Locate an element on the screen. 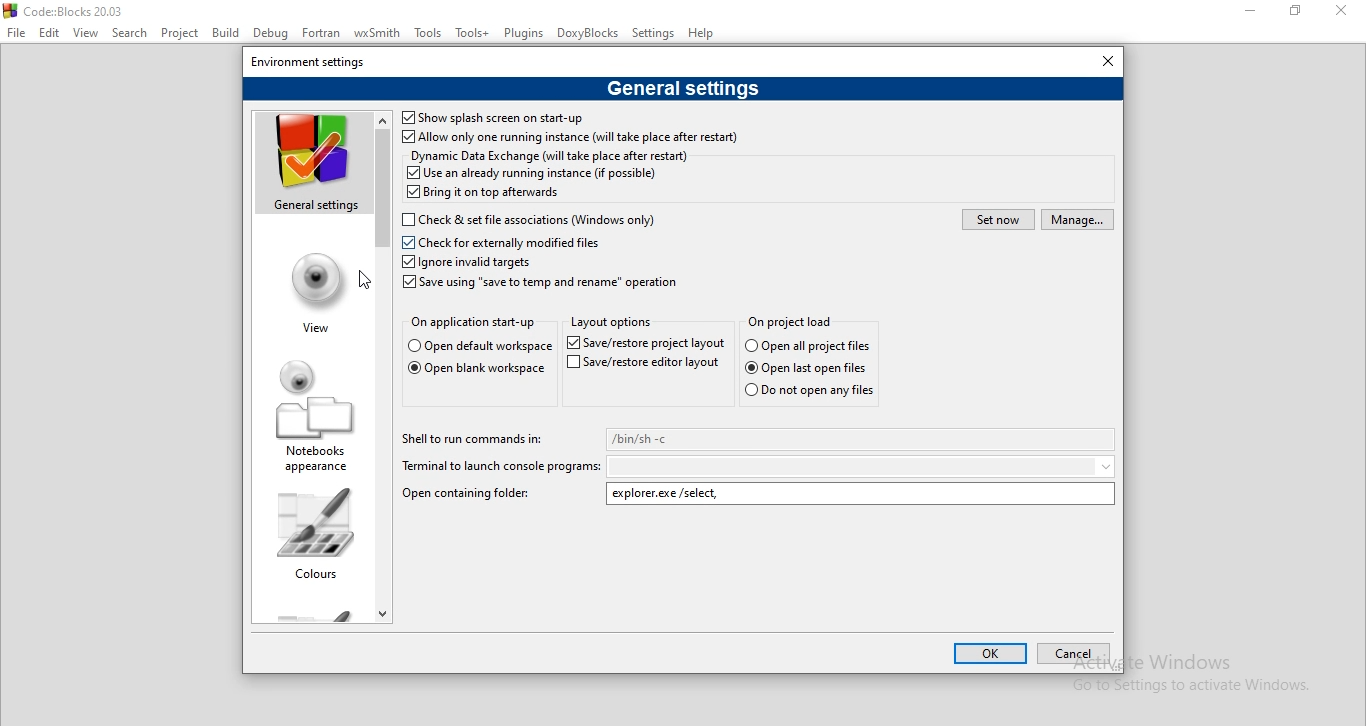 This screenshot has height=726, width=1366. general settings is located at coordinates (312, 166).